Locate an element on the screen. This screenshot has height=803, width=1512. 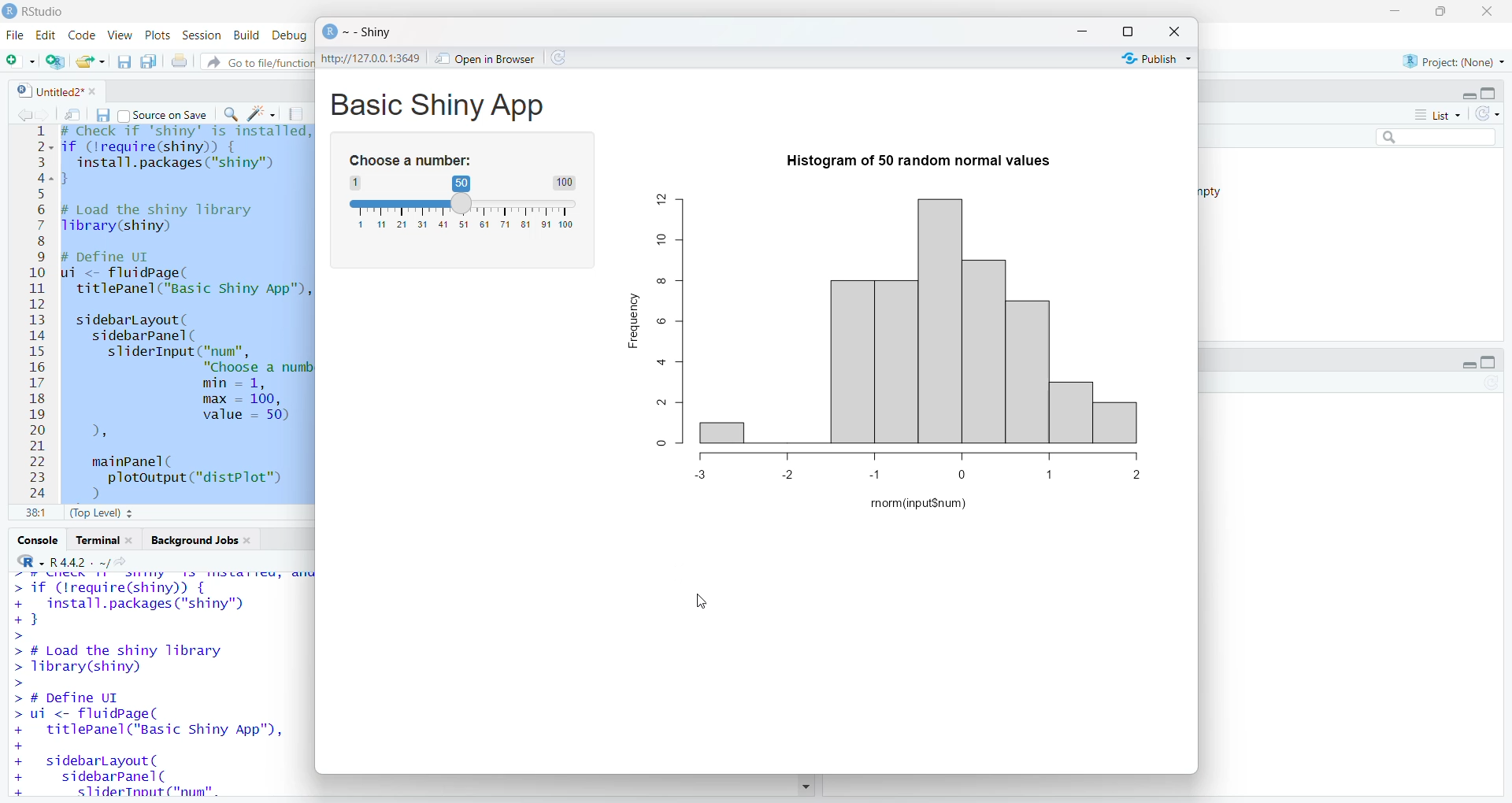
RStudio is located at coordinates (31, 561).